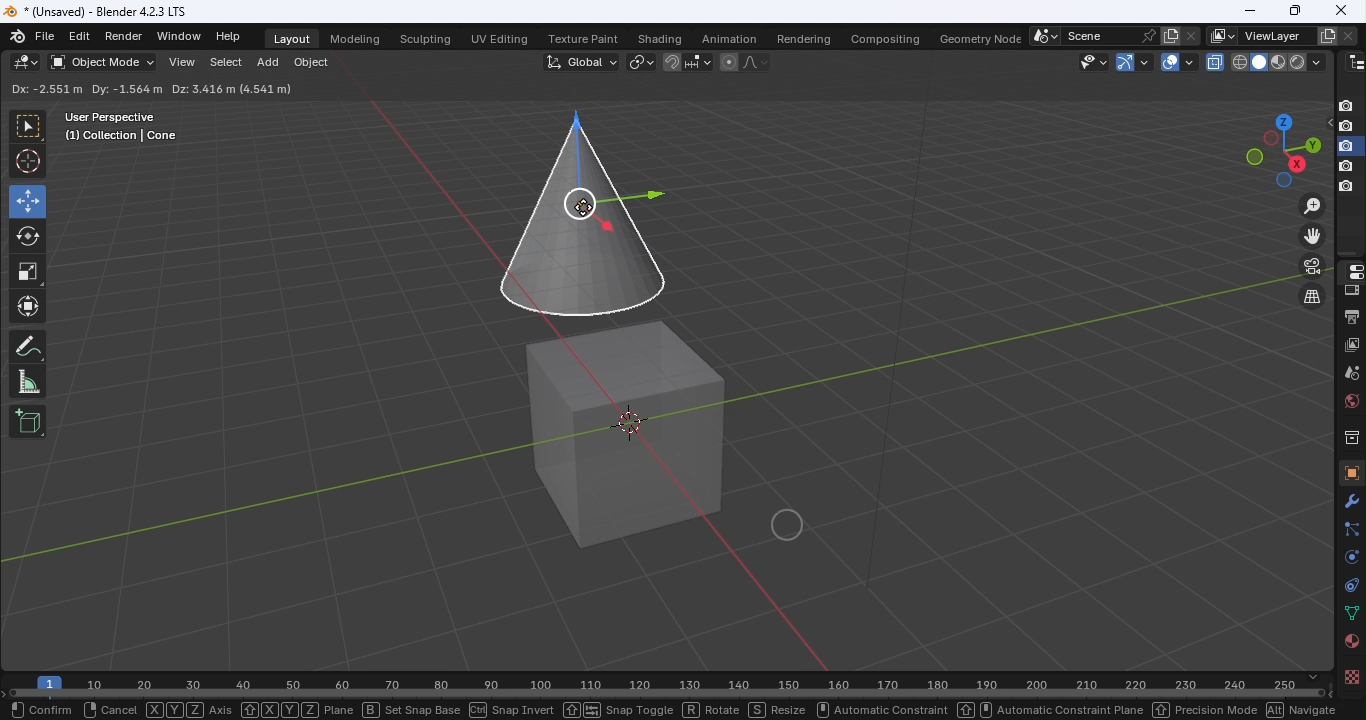  Describe the element at coordinates (1296, 61) in the screenshot. I see `viewpoint shader: Rendered` at that location.